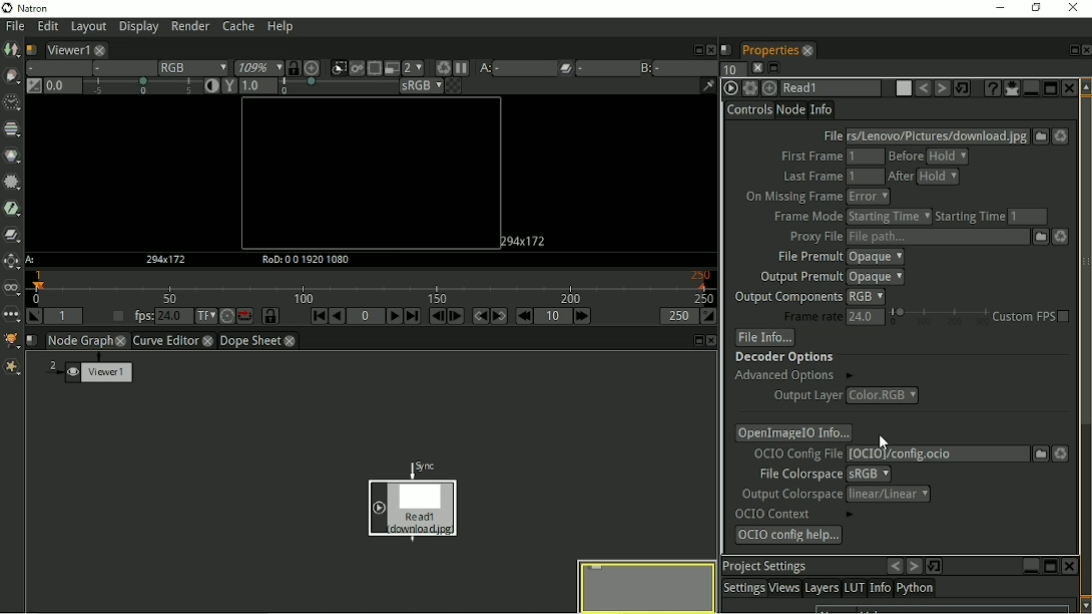  What do you see at coordinates (435, 318) in the screenshot?
I see `Previous frame` at bounding box center [435, 318].